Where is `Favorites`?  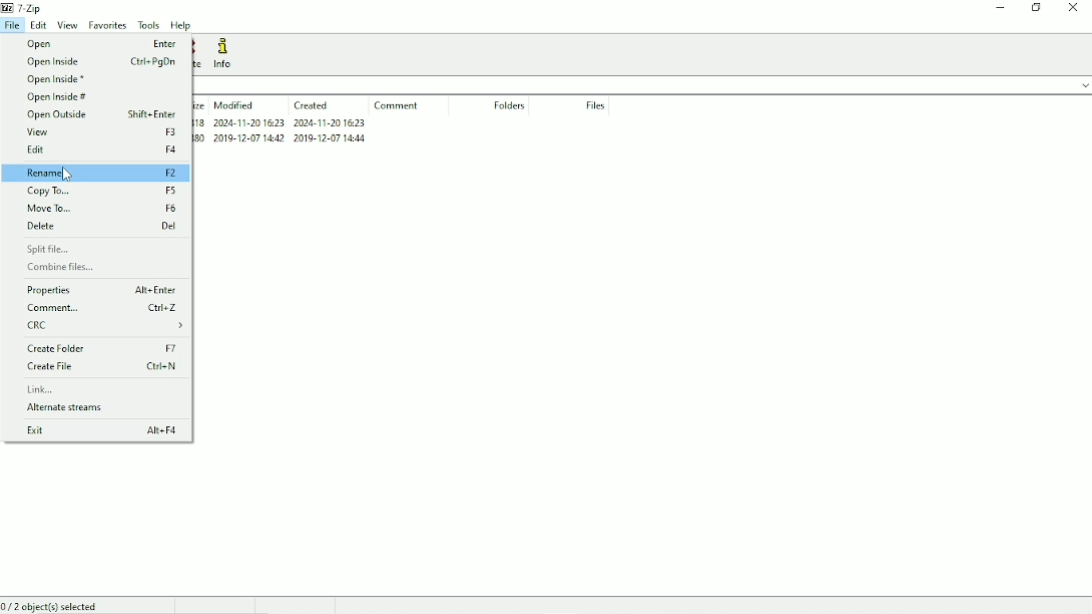 Favorites is located at coordinates (109, 25).